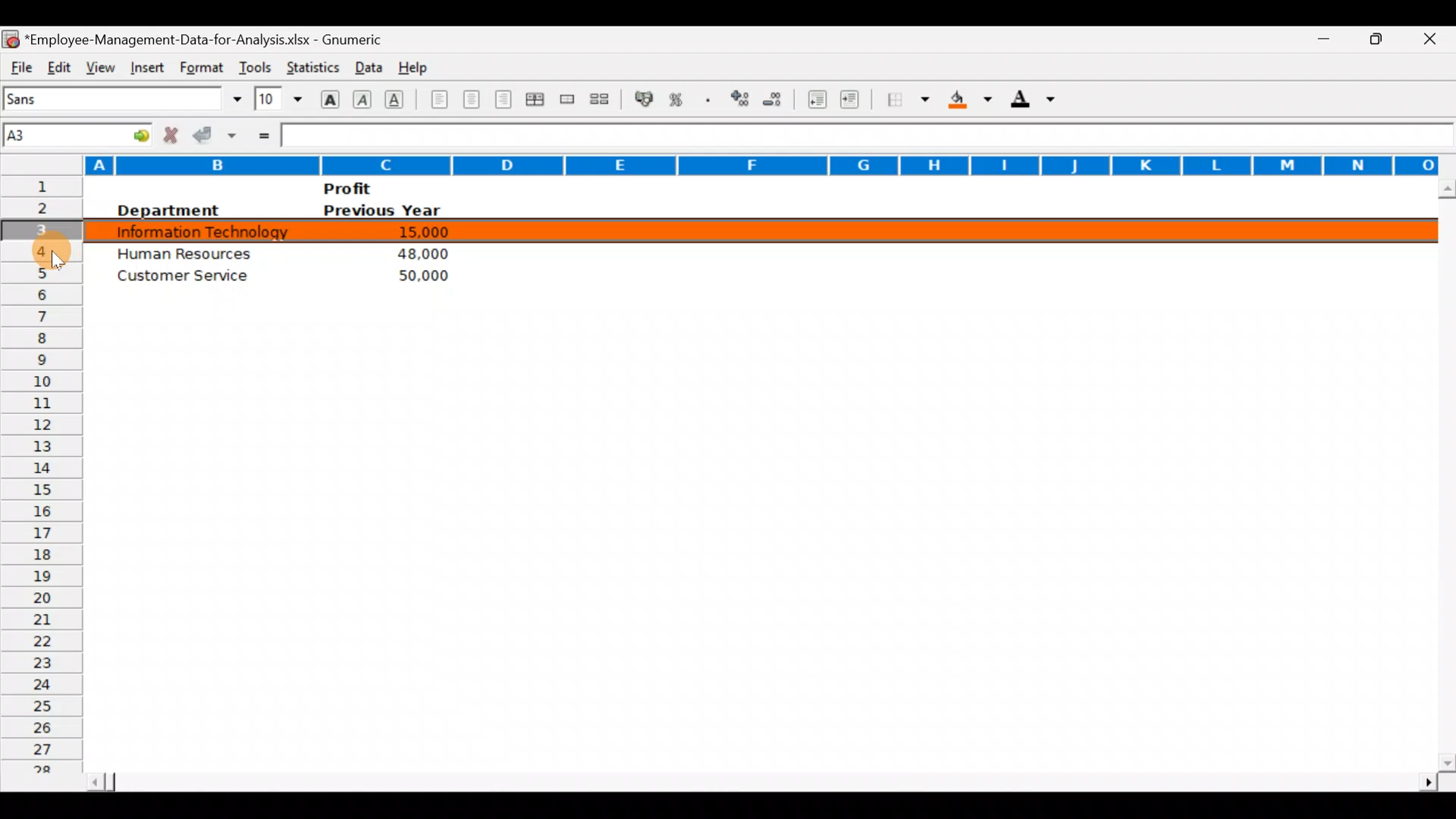  What do you see at coordinates (420, 254) in the screenshot?
I see `48,000` at bounding box center [420, 254].